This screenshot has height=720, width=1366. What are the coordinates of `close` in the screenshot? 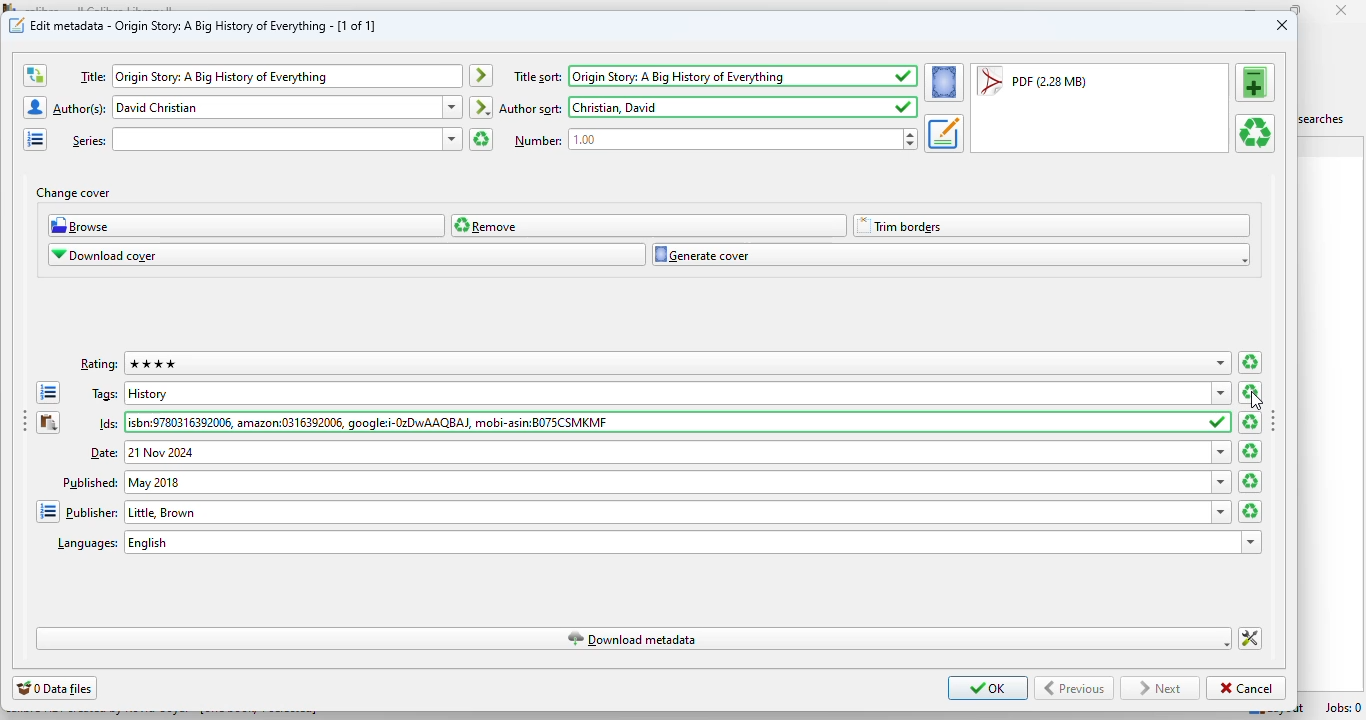 It's located at (1282, 25).